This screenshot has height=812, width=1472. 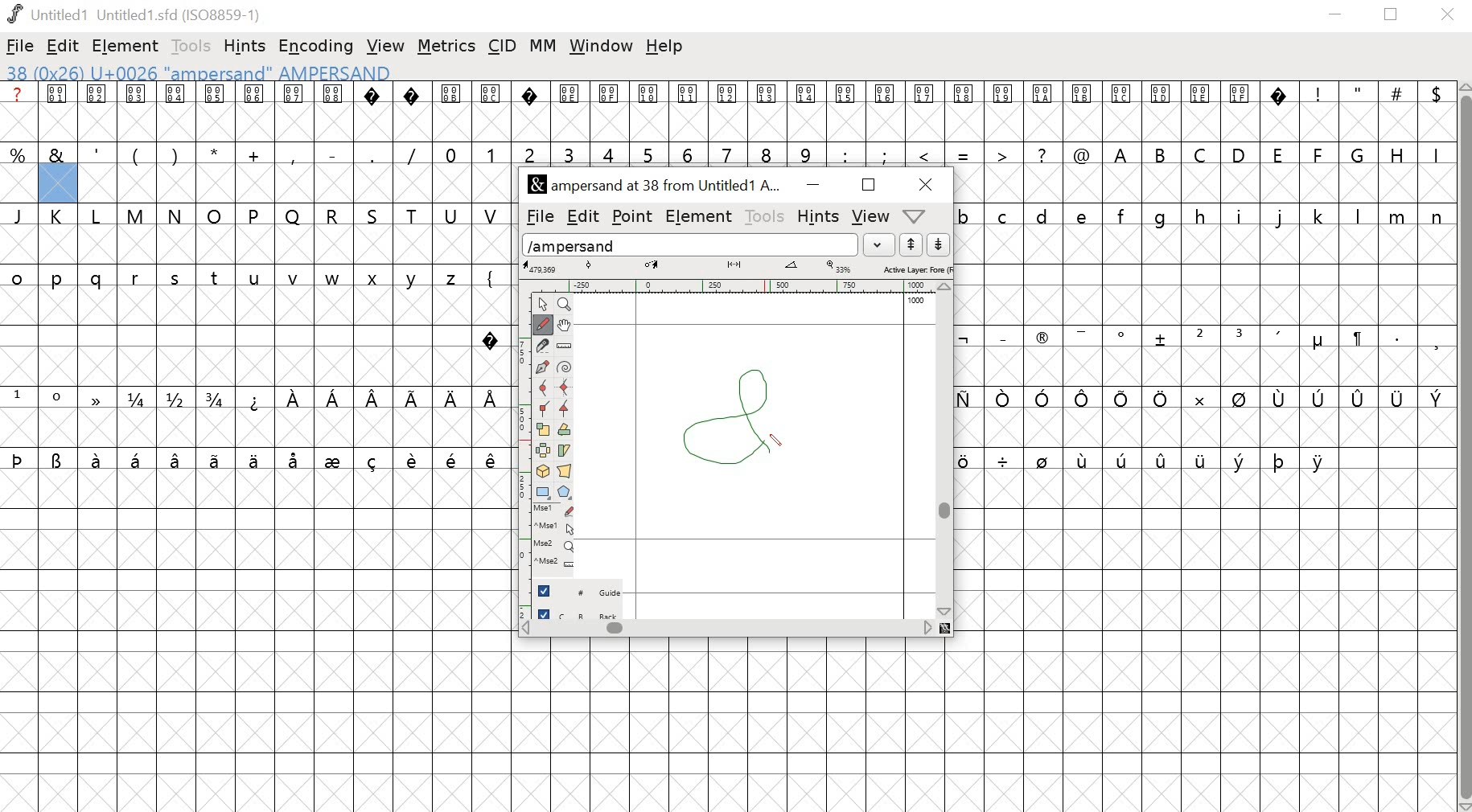 What do you see at coordinates (691, 153) in the screenshot?
I see `6` at bounding box center [691, 153].